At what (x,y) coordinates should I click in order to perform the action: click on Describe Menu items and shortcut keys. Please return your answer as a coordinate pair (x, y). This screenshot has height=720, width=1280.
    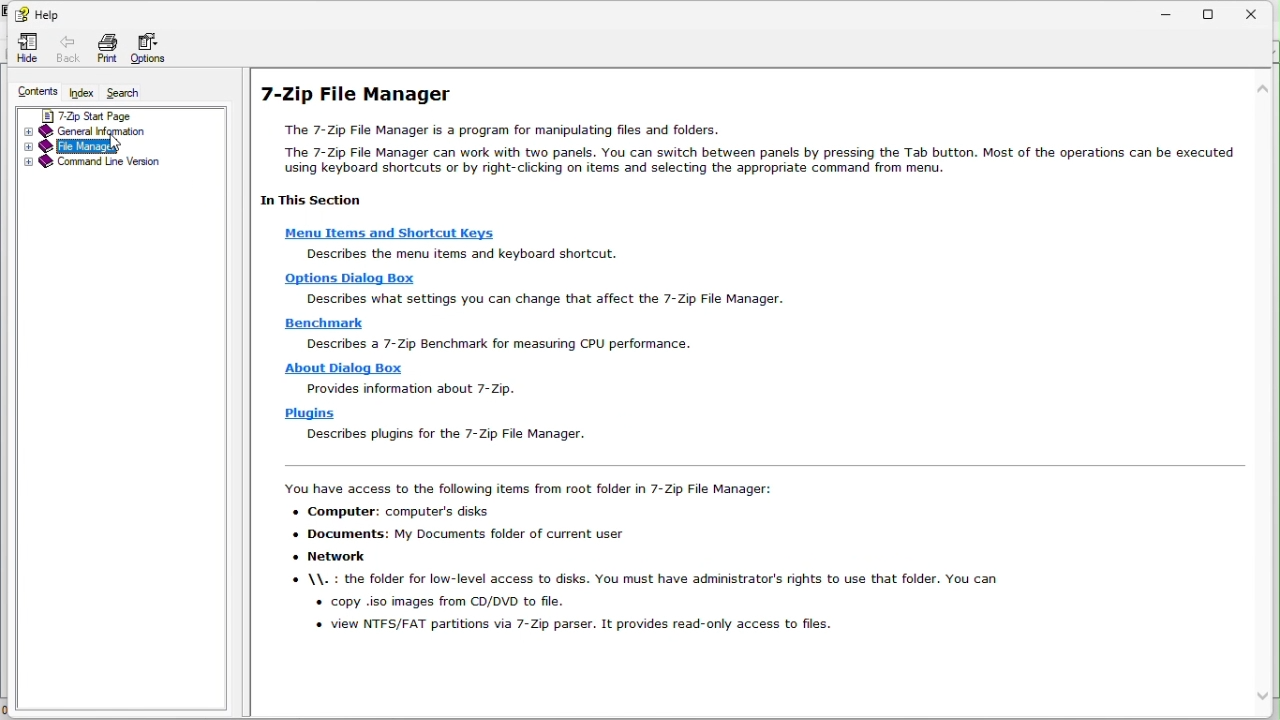
    Looking at the image, I should click on (467, 253).